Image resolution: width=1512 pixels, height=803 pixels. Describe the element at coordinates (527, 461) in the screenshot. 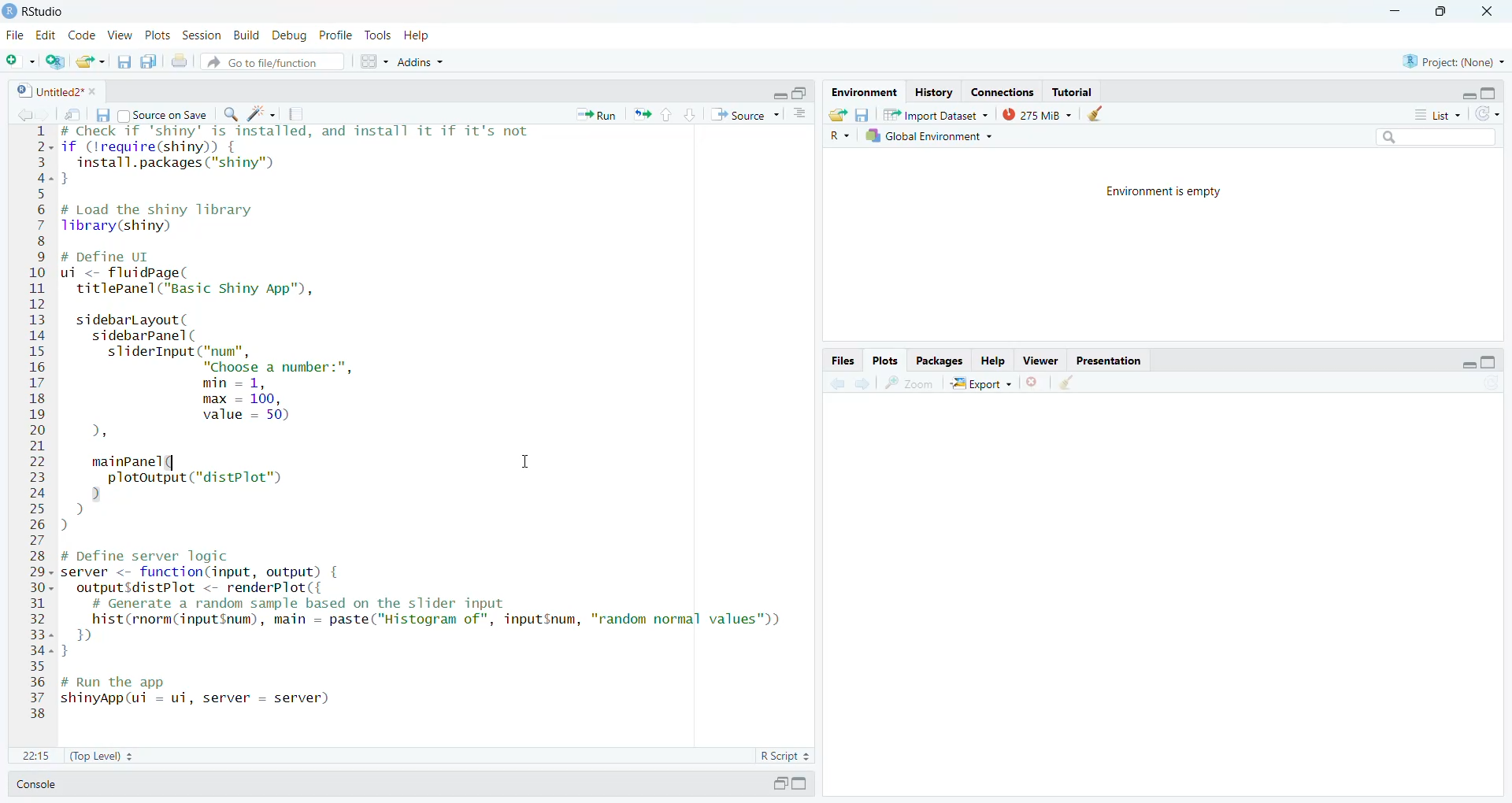

I see `cursor` at that location.